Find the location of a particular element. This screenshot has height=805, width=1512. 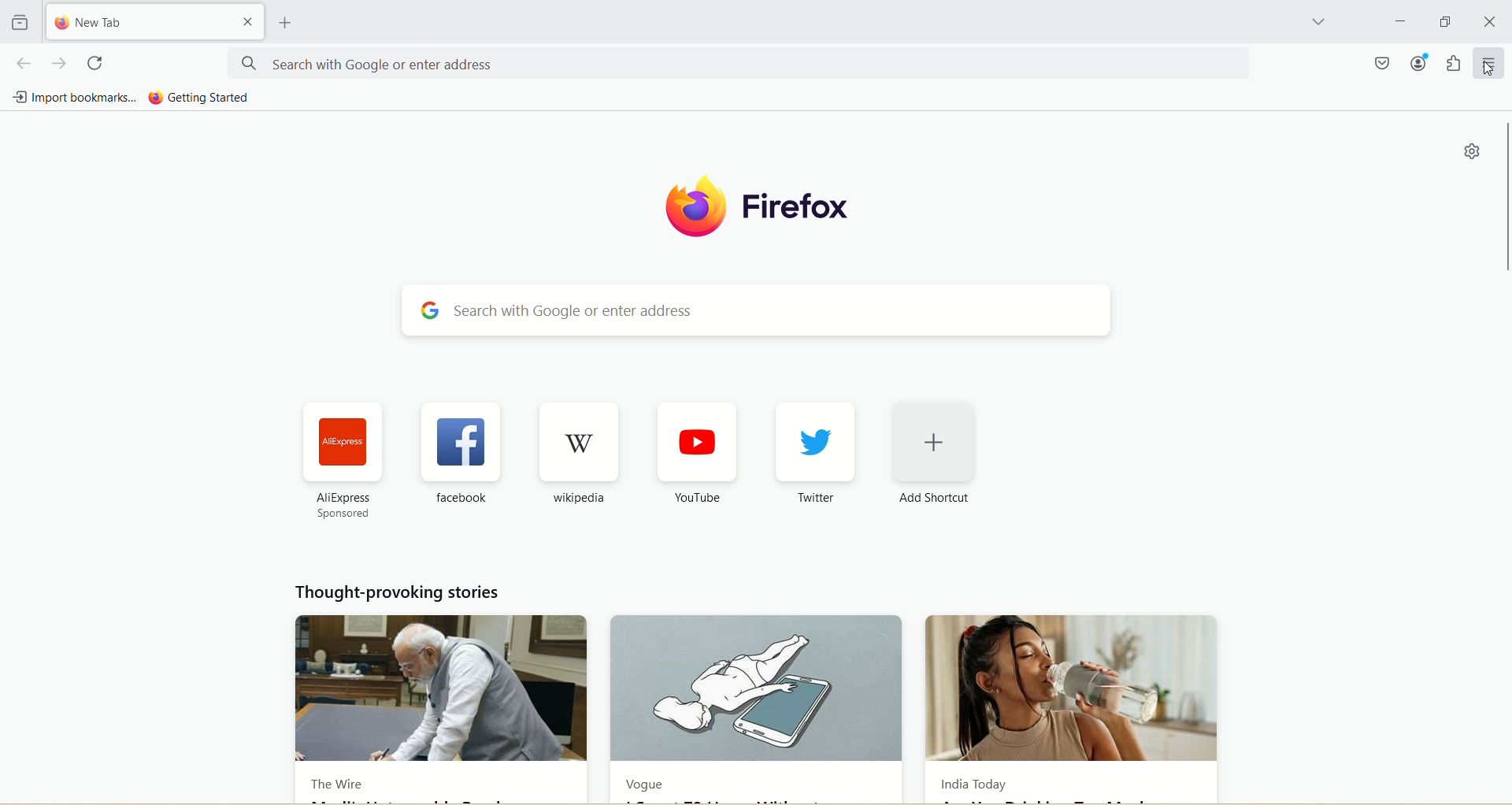

wikipedia is located at coordinates (579, 443).